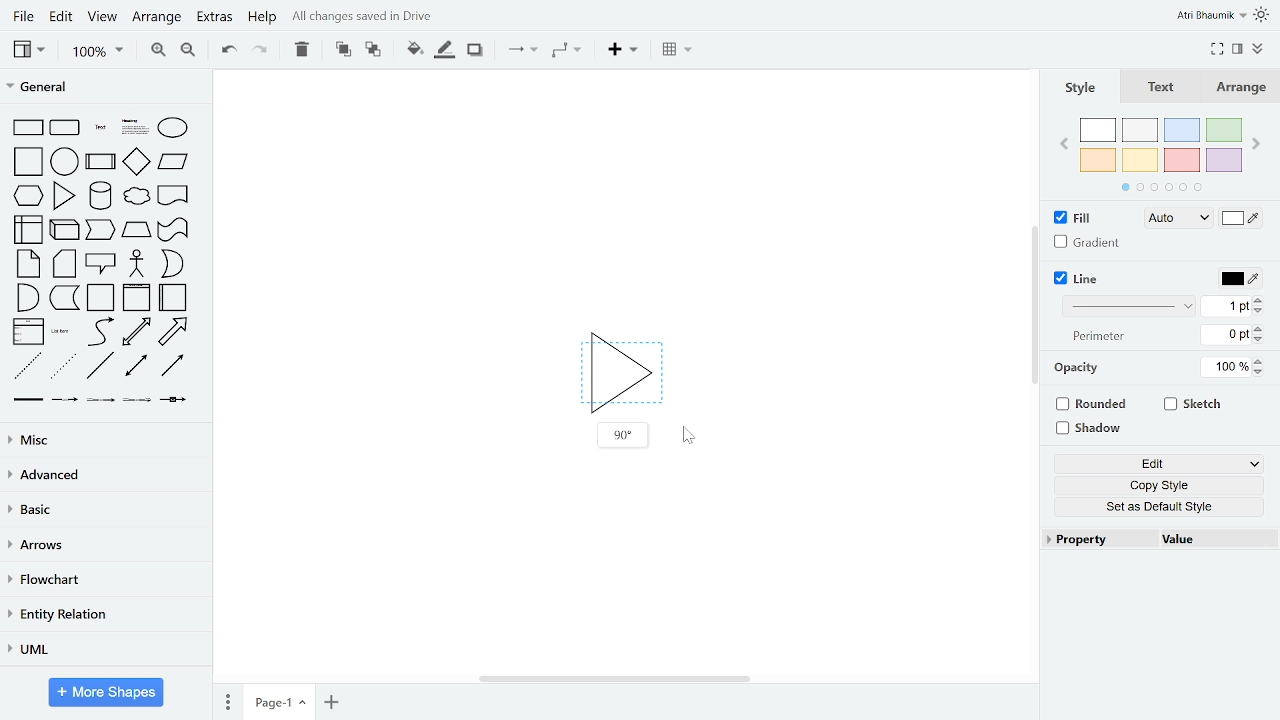 This screenshot has width=1280, height=720. Describe the element at coordinates (444, 49) in the screenshot. I see `fill line` at that location.